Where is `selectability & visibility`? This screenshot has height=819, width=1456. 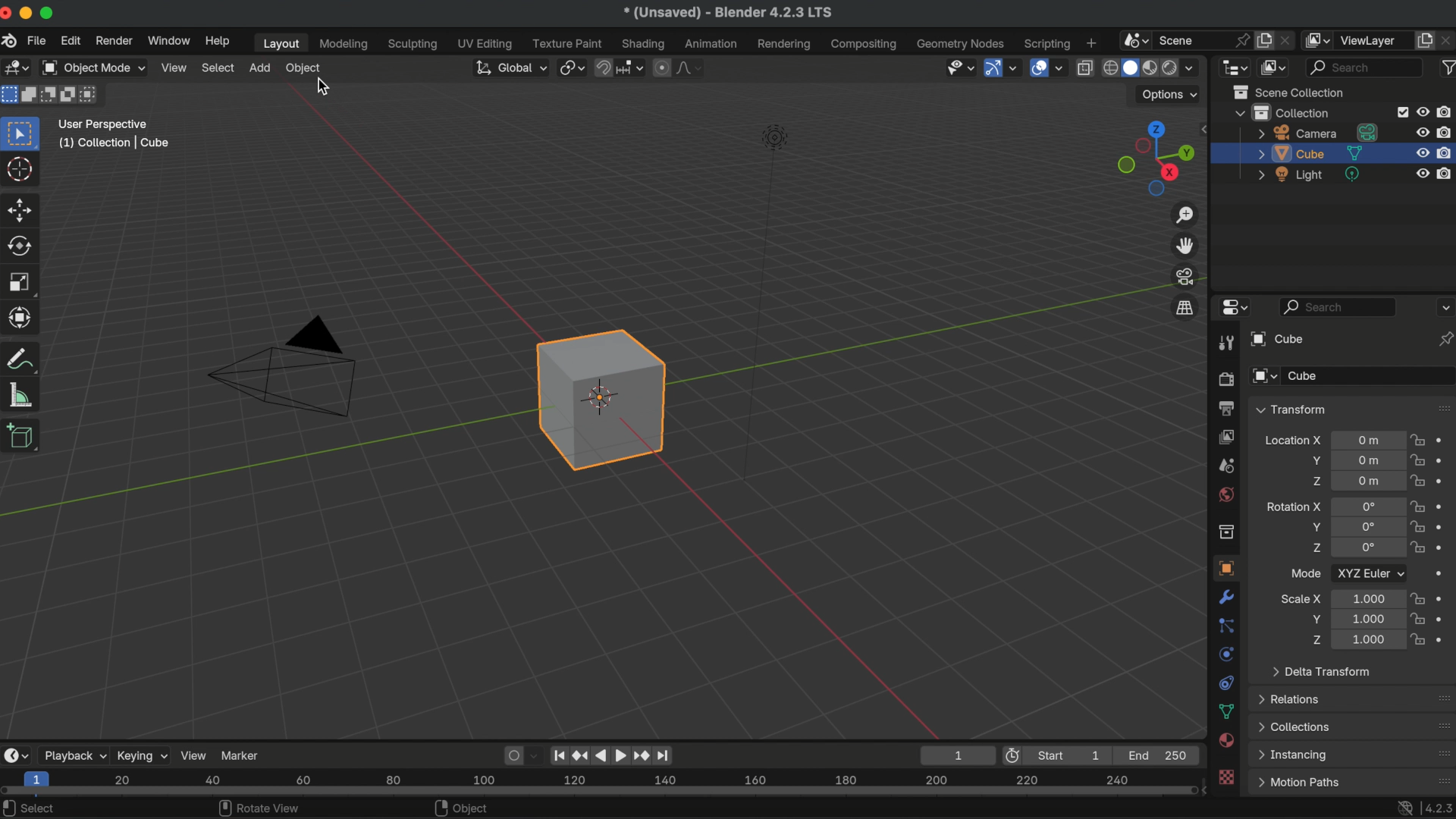 selectability & visibility is located at coordinates (959, 67).